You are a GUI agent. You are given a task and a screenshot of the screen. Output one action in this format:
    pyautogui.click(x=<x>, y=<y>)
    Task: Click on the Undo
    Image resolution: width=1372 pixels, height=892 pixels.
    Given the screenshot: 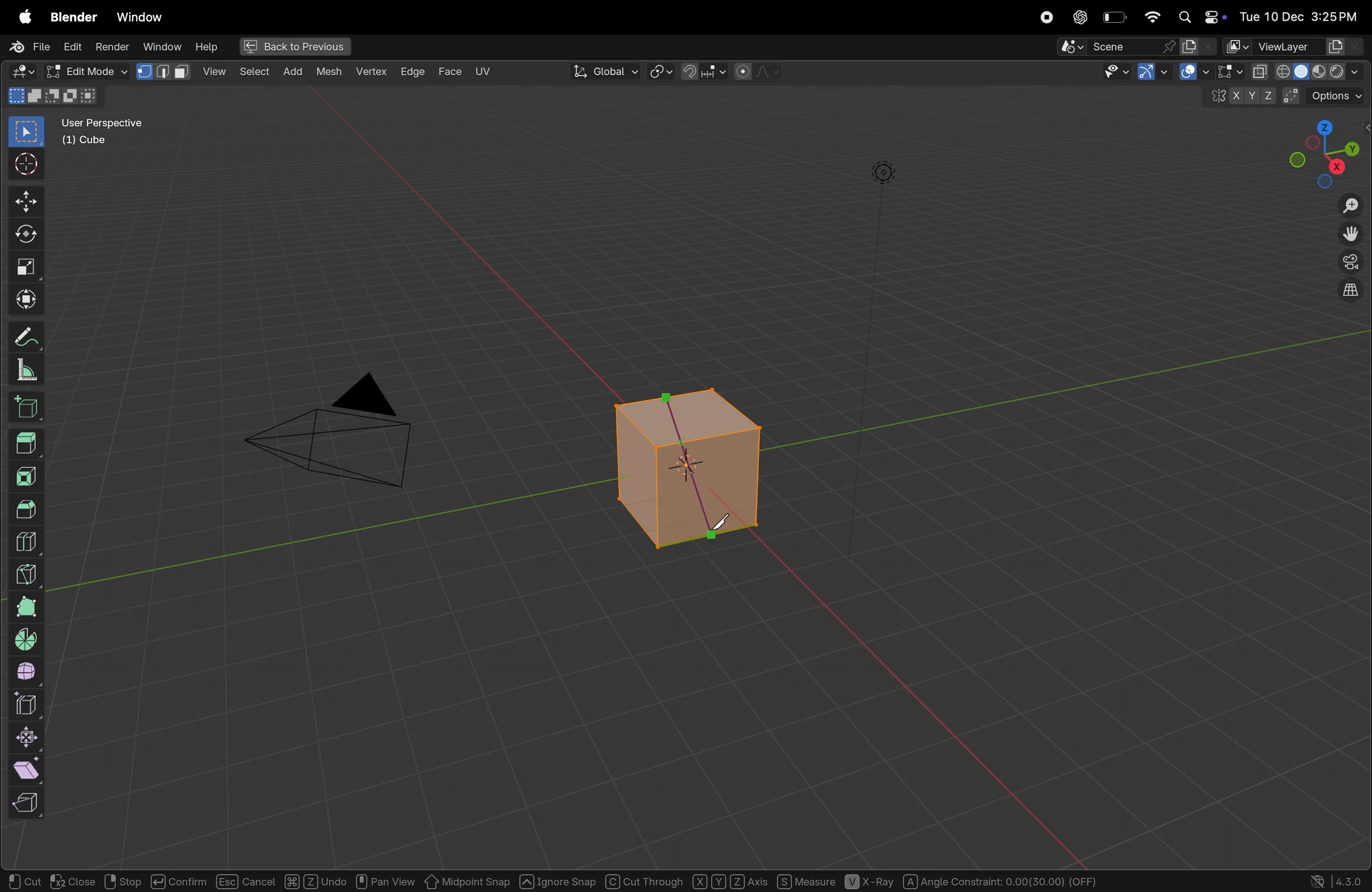 What is the action you would take?
    pyautogui.click(x=316, y=880)
    